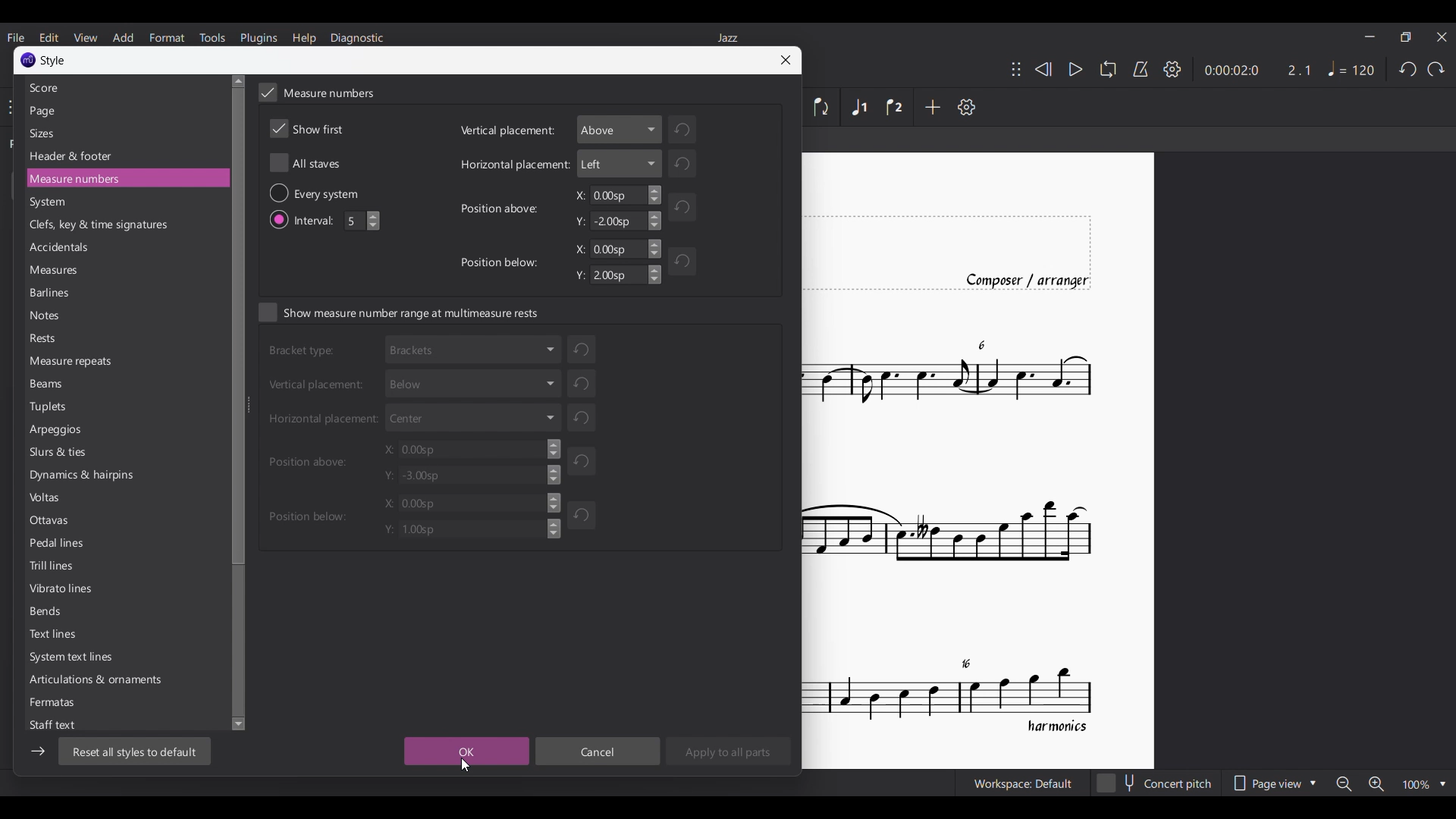  Describe the element at coordinates (167, 37) in the screenshot. I see `Format menu, highlighted by cursor` at that location.